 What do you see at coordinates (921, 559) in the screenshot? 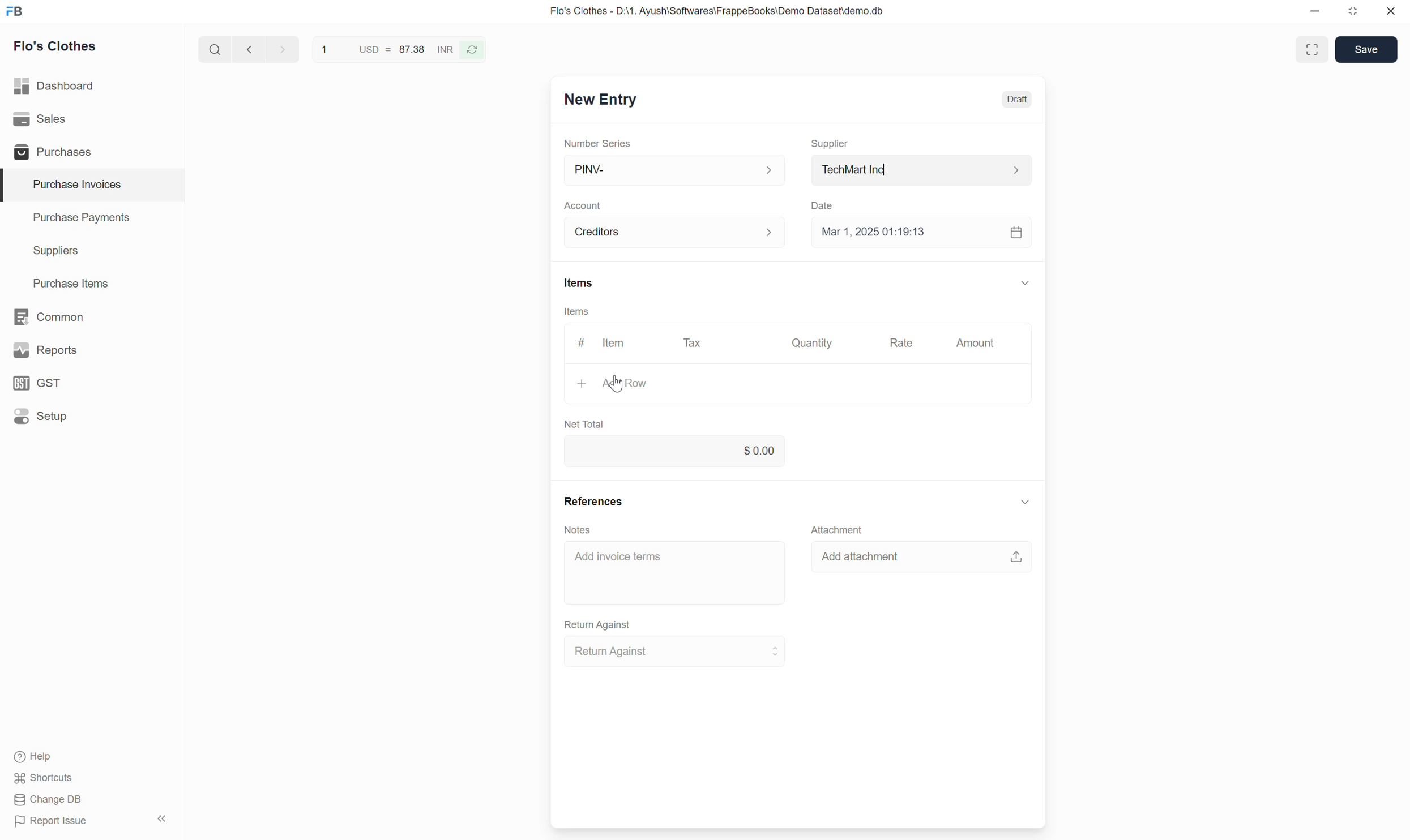
I see `Add attachment` at bounding box center [921, 559].